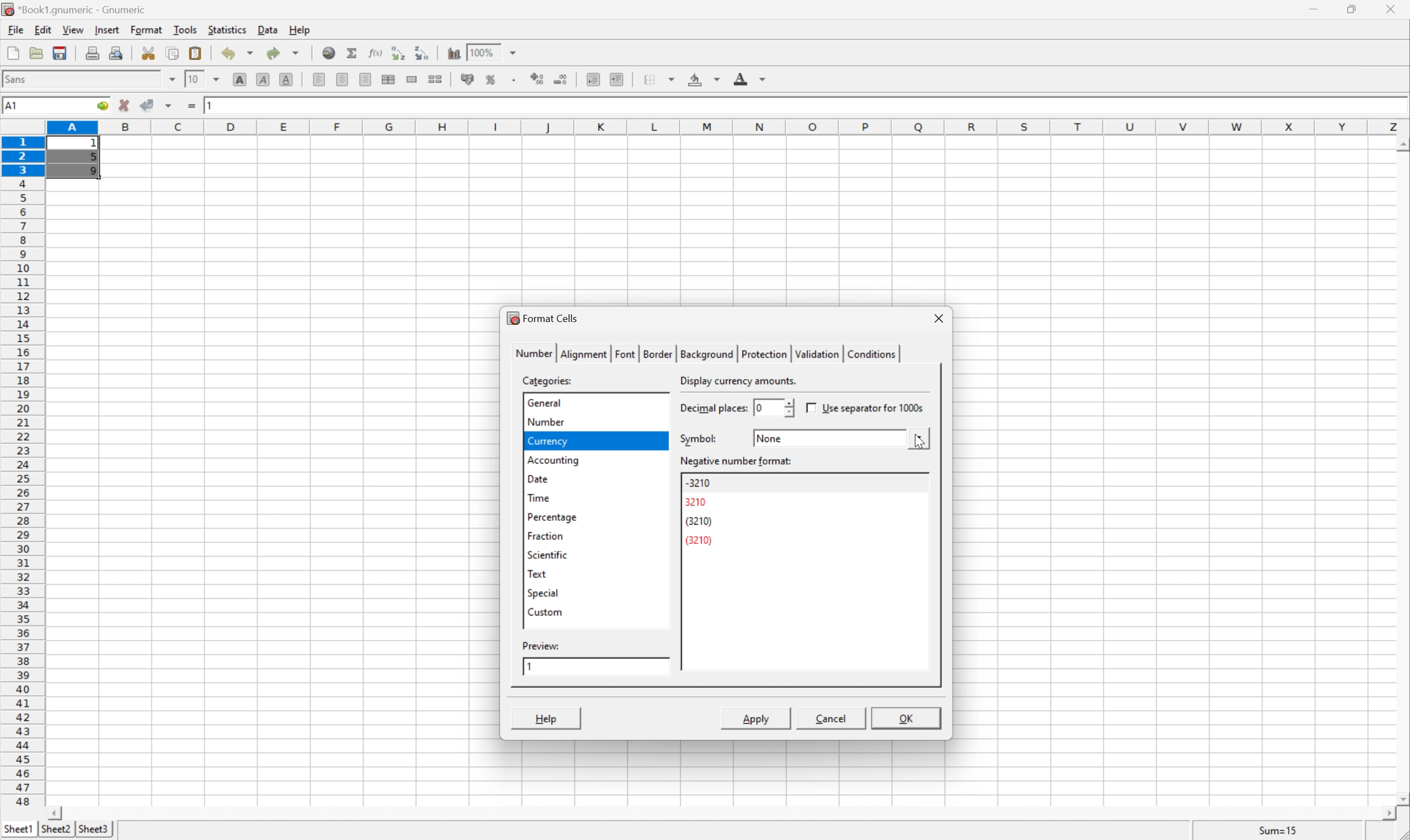 This screenshot has width=1410, height=840. I want to click on row numbers, so click(22, 472).